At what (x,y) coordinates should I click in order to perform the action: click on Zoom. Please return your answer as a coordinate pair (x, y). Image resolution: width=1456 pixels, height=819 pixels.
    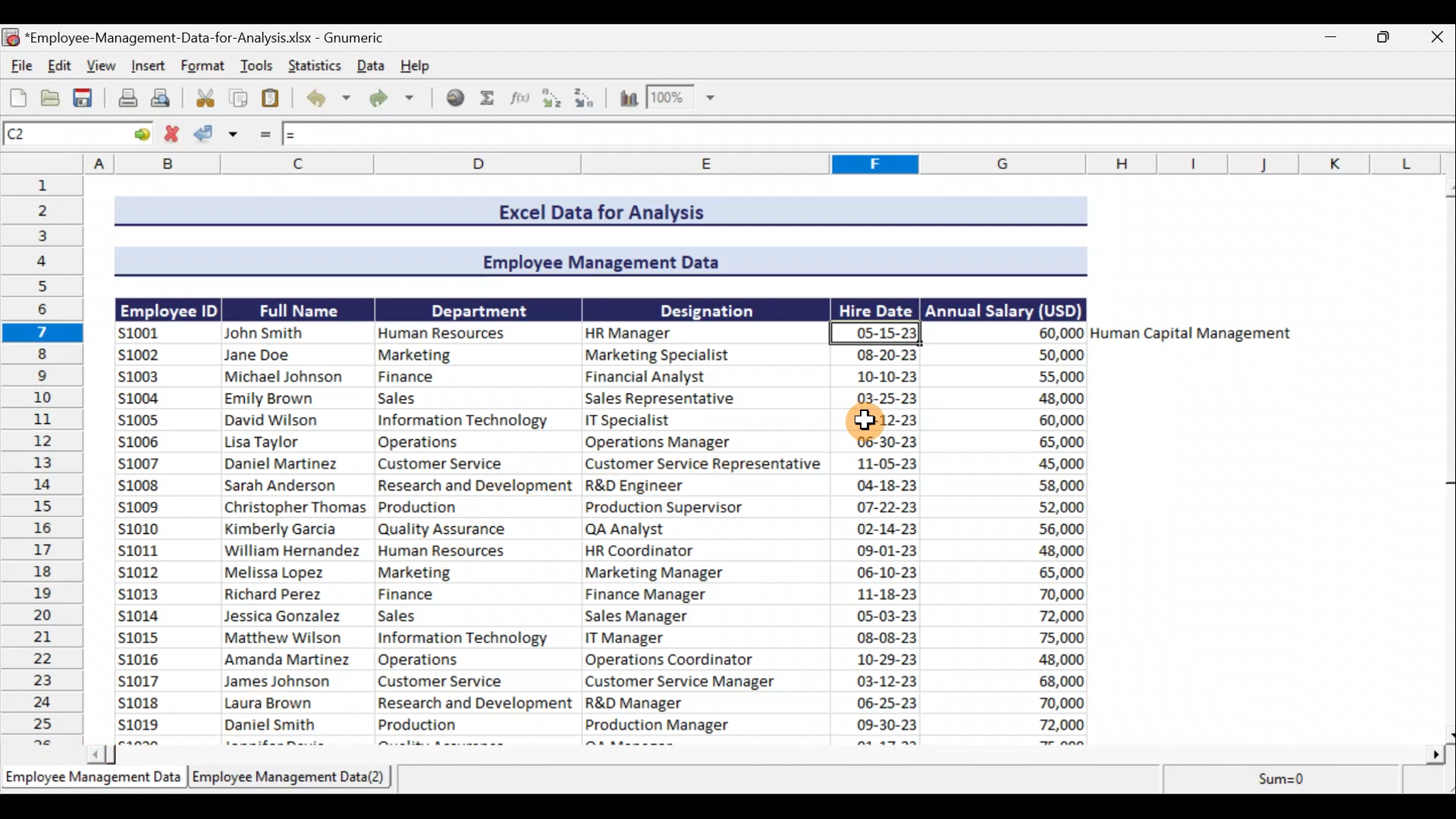
    Looking at the image, I should click on (684, 99).